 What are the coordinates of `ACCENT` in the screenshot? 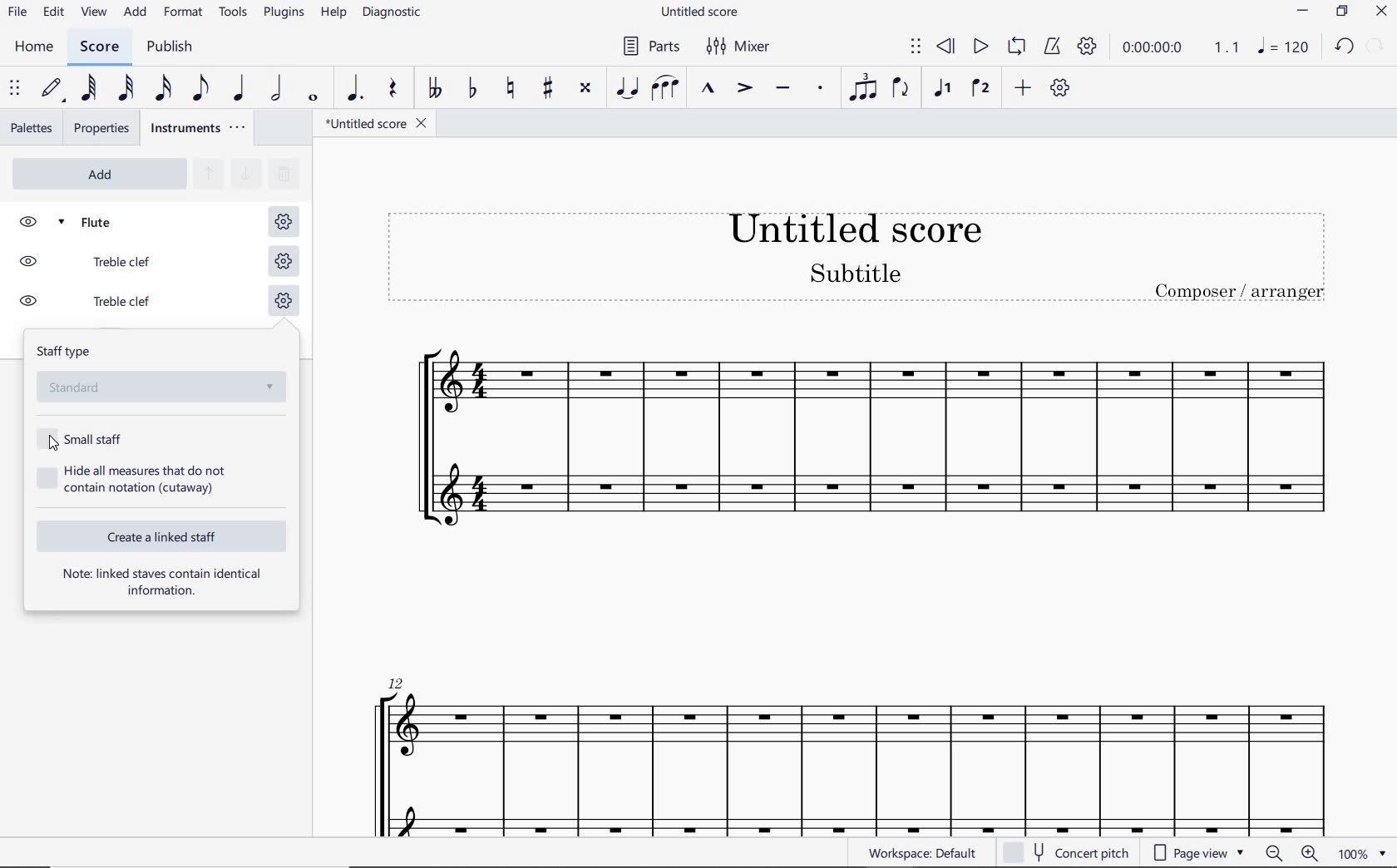 It's located at (743, 89).